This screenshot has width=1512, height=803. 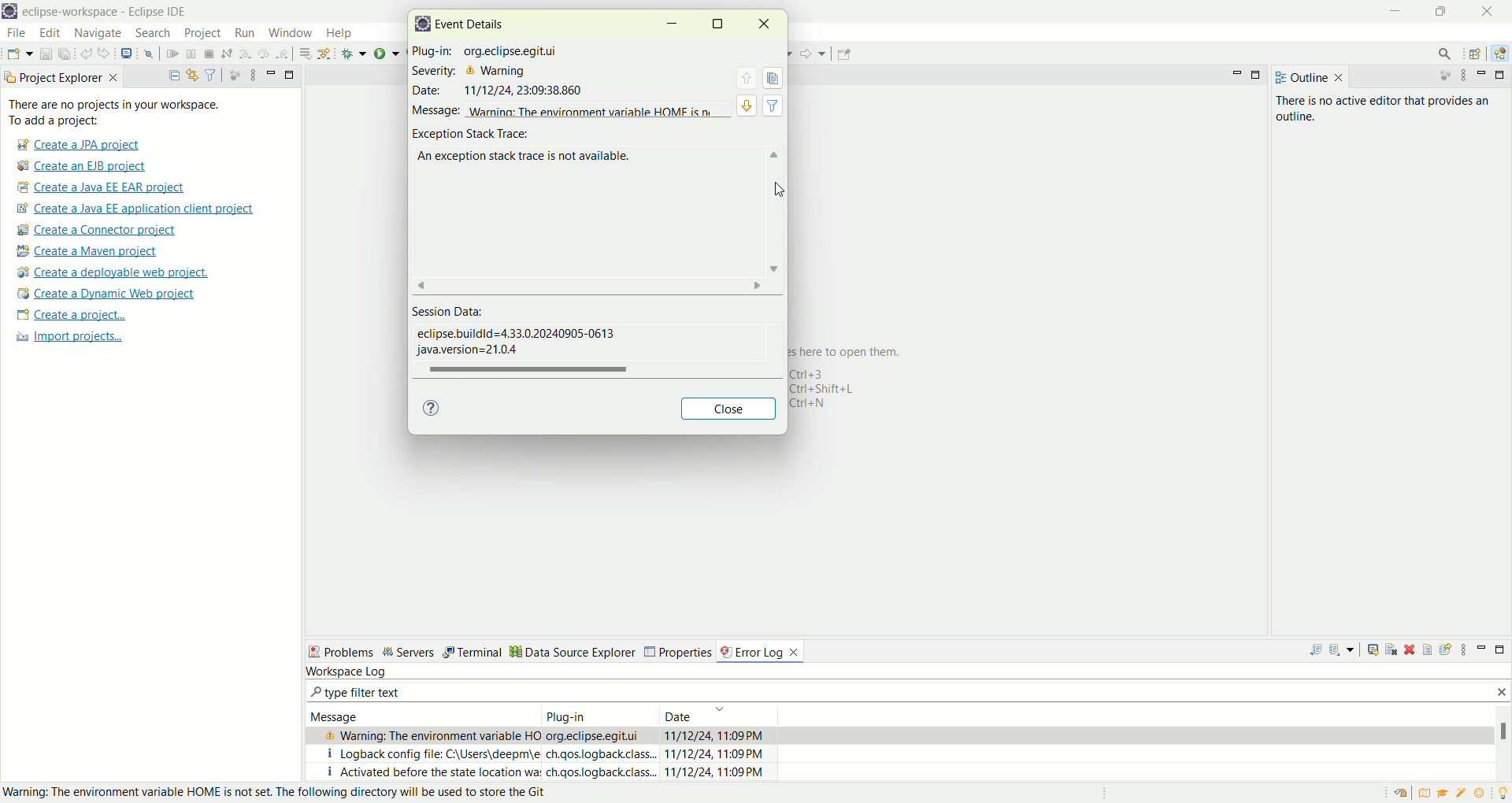 I want to click on window, so click(x=292, y=31).